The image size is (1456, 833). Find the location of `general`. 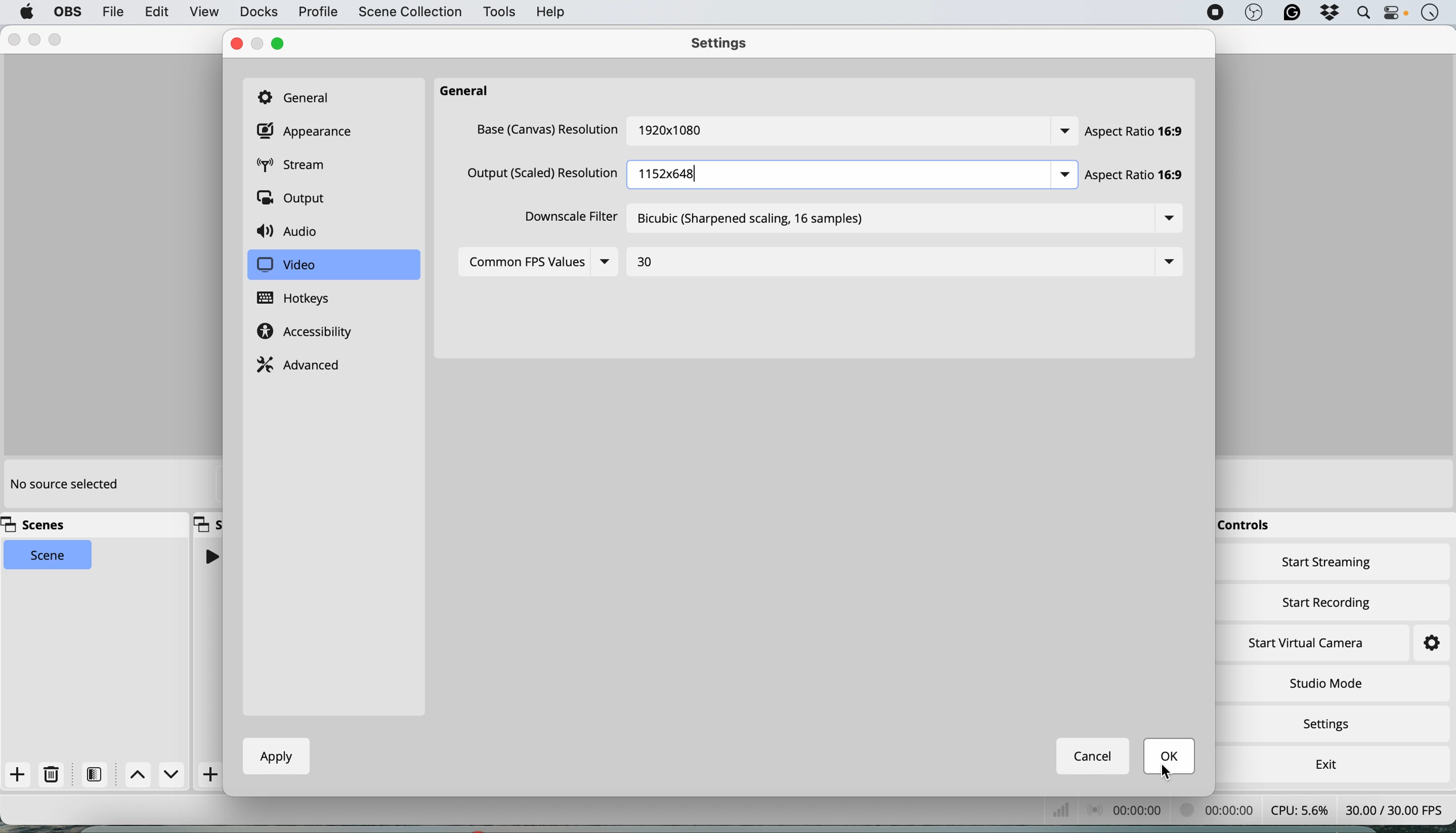

general is located at coordinates (470, 92).